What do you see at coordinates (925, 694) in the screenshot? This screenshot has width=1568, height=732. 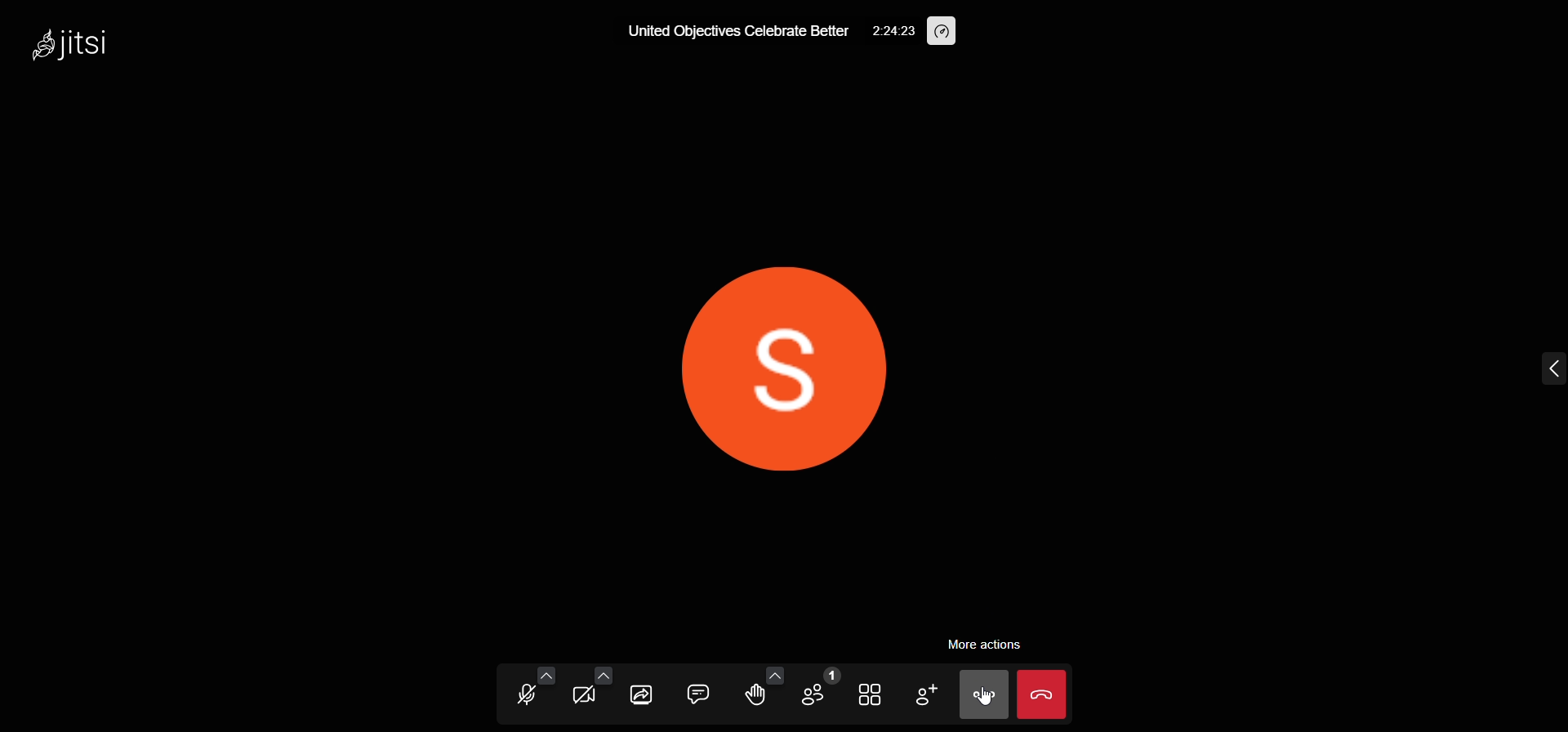 I see `invite people` at bounding box center [925, 694].